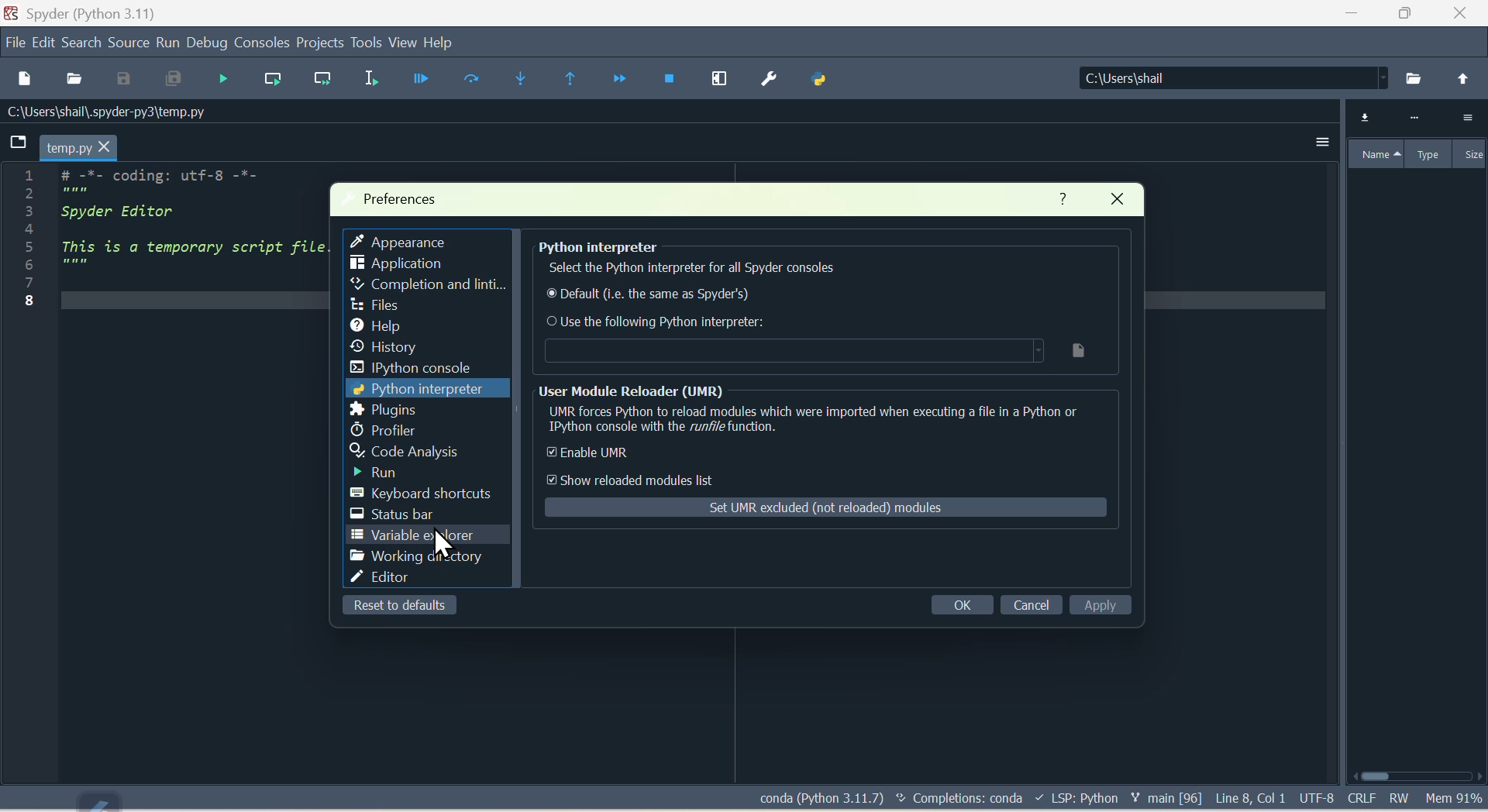 The height and width of the screenshot is (812, 1488). Describe the element at coordinates (831, 79) in the screenshot. I see `Python path manager` at that location.